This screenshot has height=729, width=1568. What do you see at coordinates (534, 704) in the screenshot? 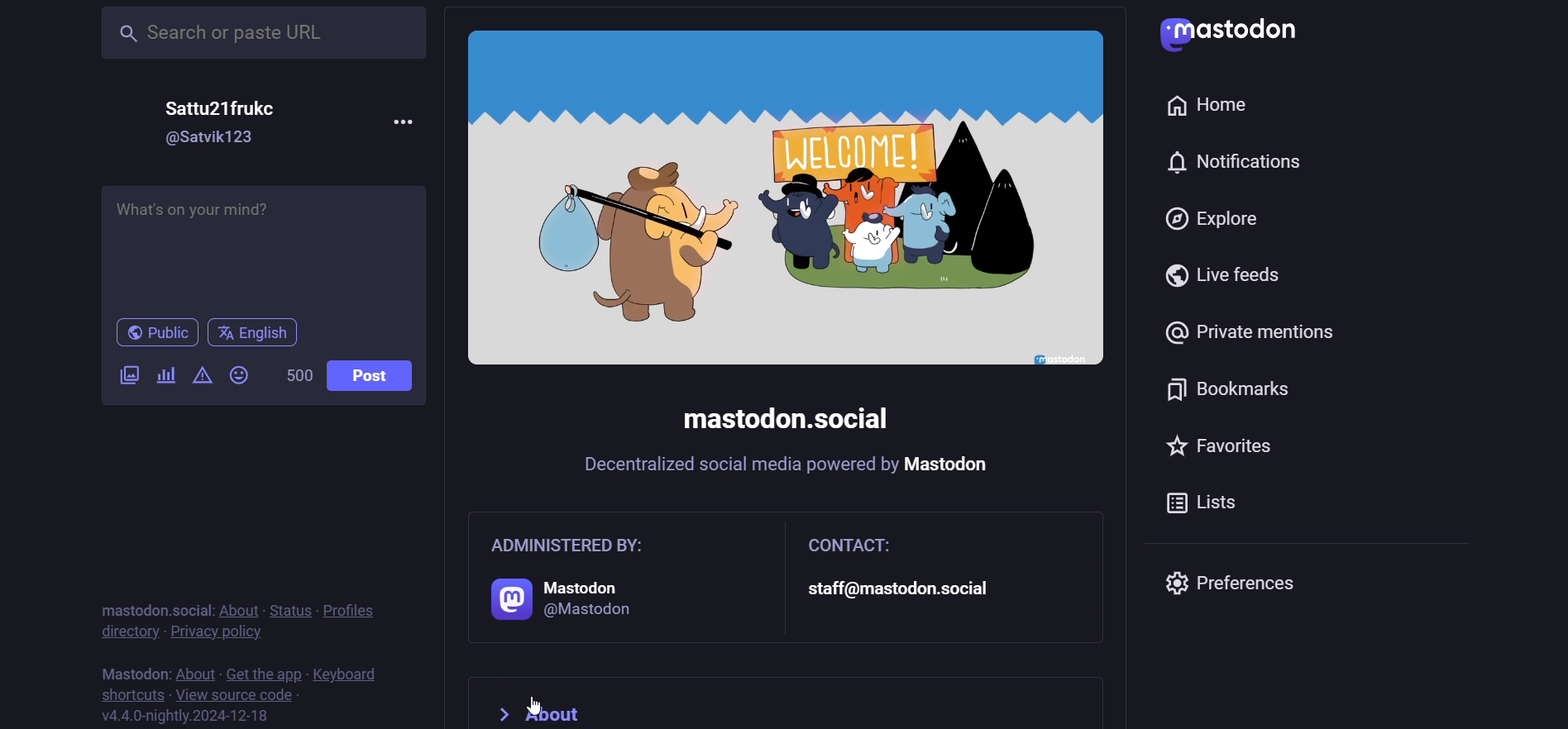
I see `pointer` at bounding box center [534, 704].